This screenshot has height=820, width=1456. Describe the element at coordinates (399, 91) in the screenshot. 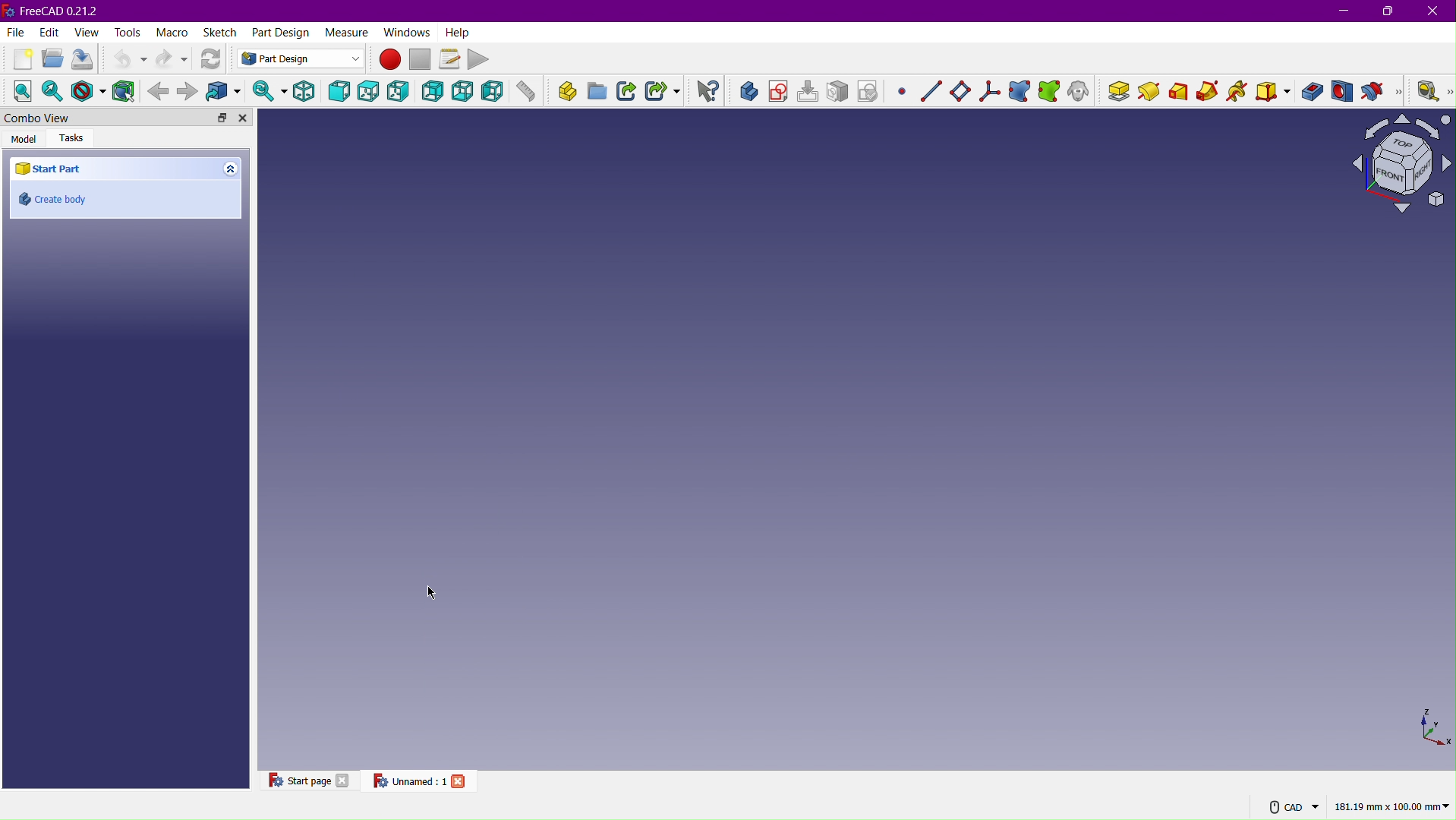

I see `Right` at that location.